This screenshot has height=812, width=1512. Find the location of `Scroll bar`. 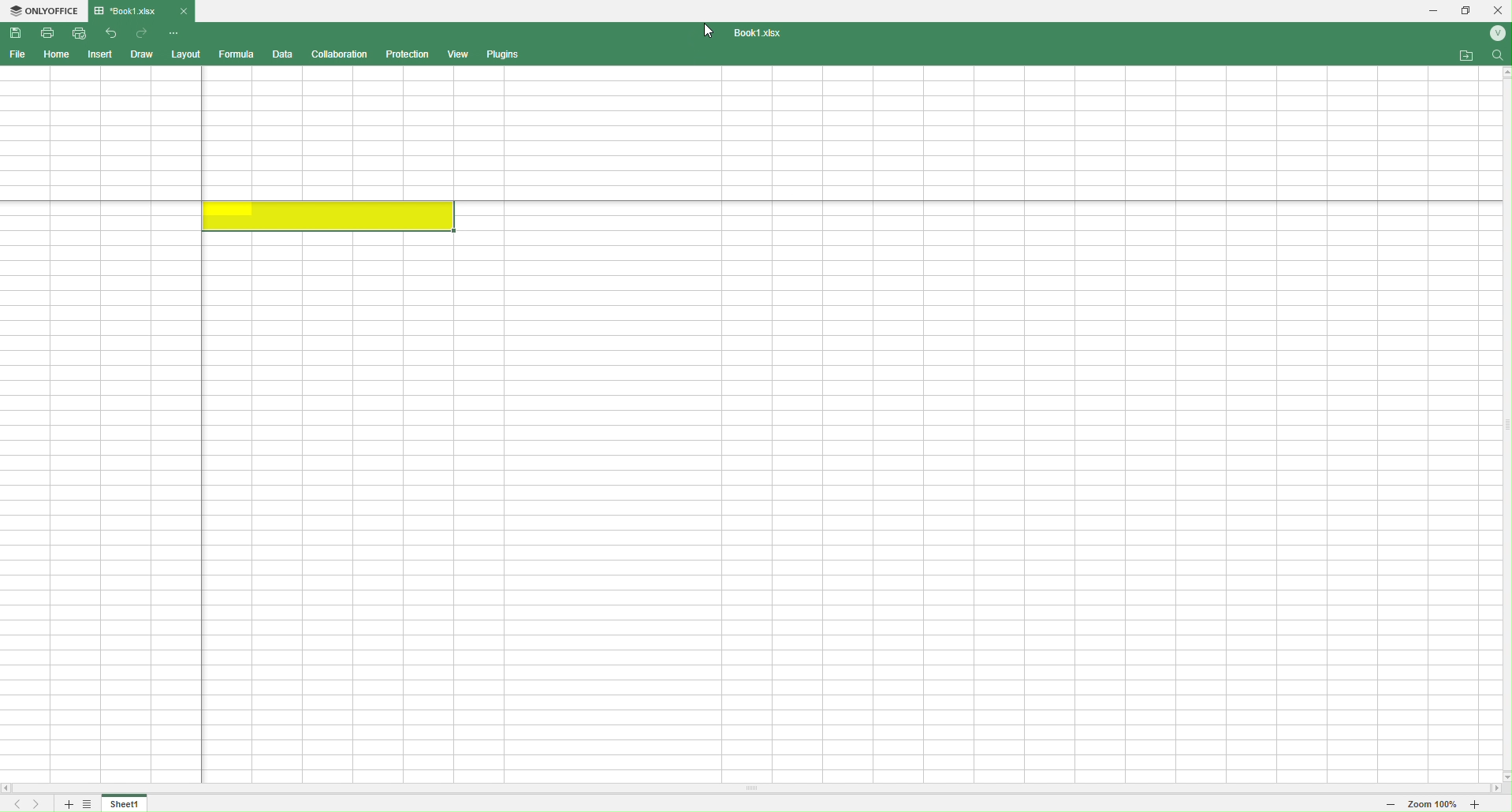

Scroll bar is located at coordinates (756, 789).